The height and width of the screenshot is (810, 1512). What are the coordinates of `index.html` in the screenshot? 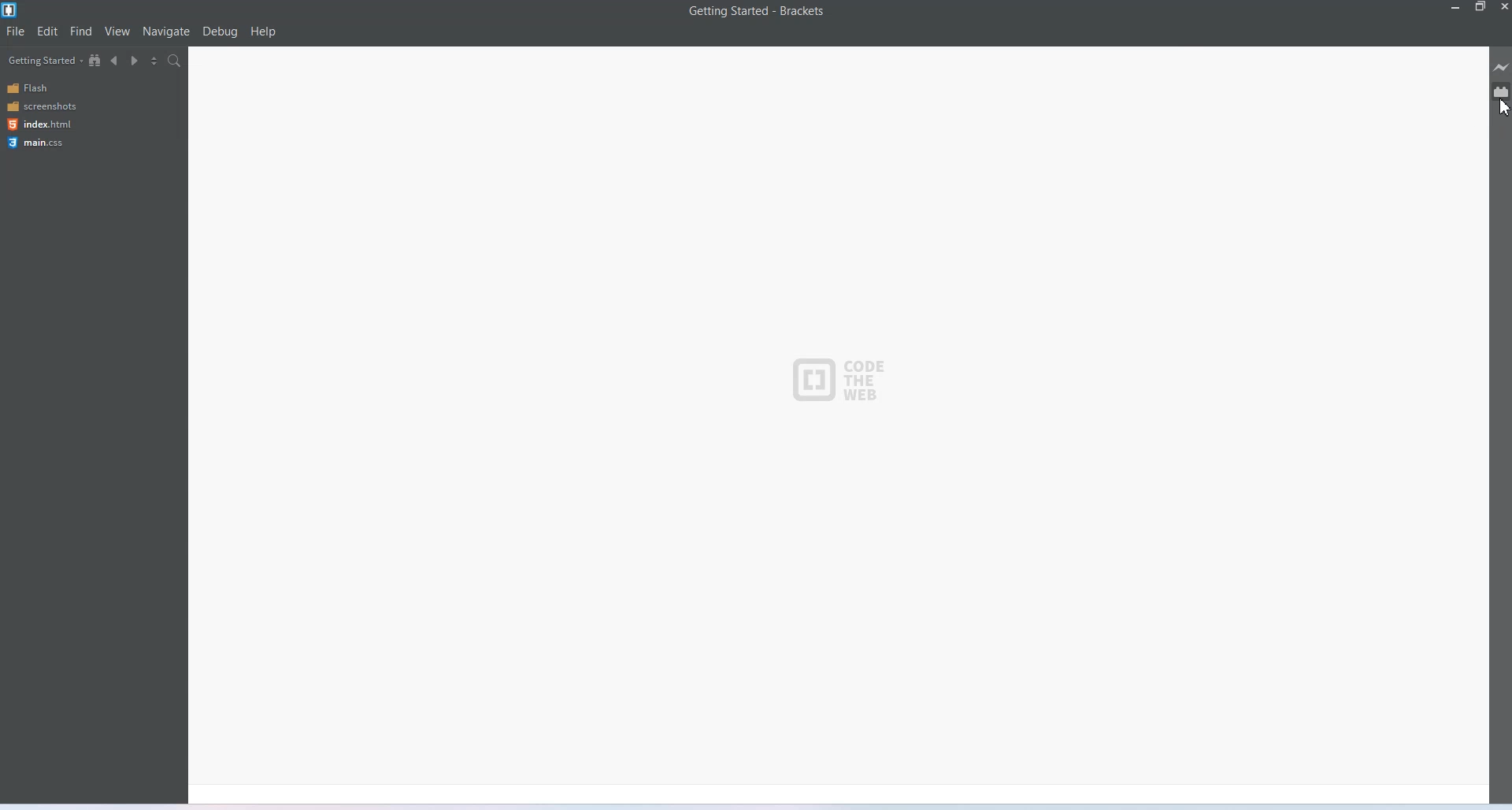 It's located at (38, 124).